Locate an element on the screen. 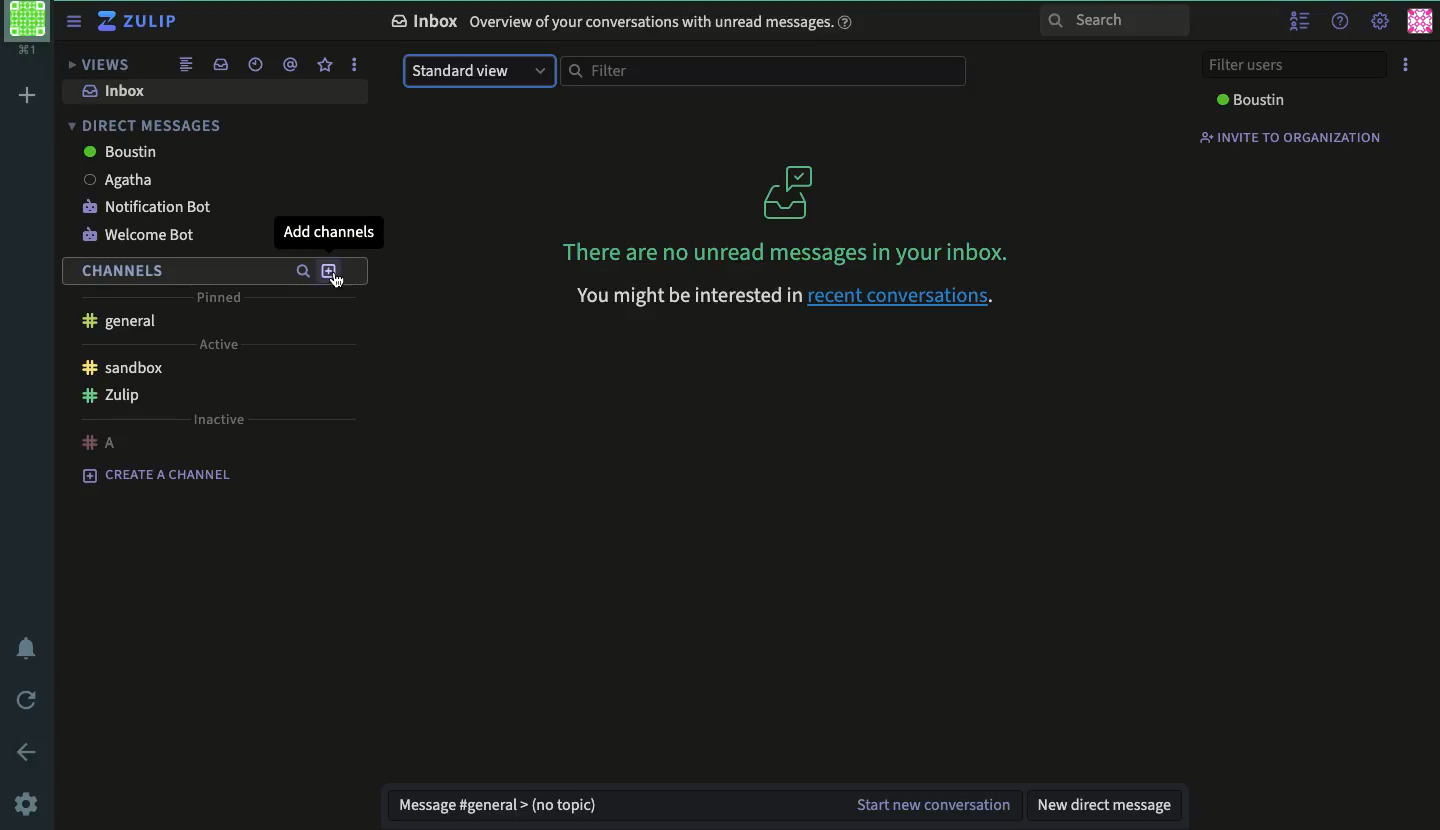  settings is located at coordinates (27, 803).